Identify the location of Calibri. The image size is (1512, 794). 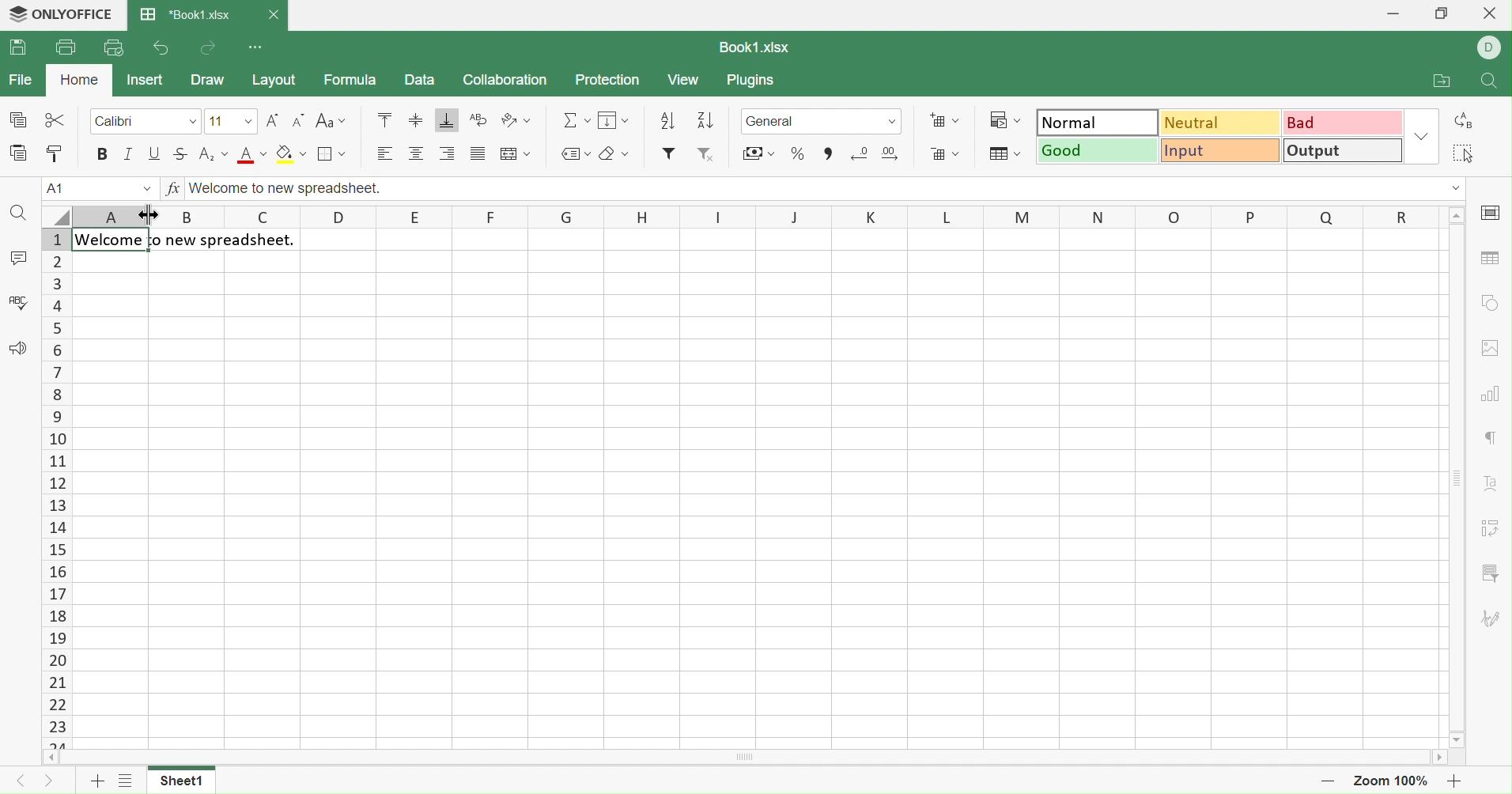
(117, 120).